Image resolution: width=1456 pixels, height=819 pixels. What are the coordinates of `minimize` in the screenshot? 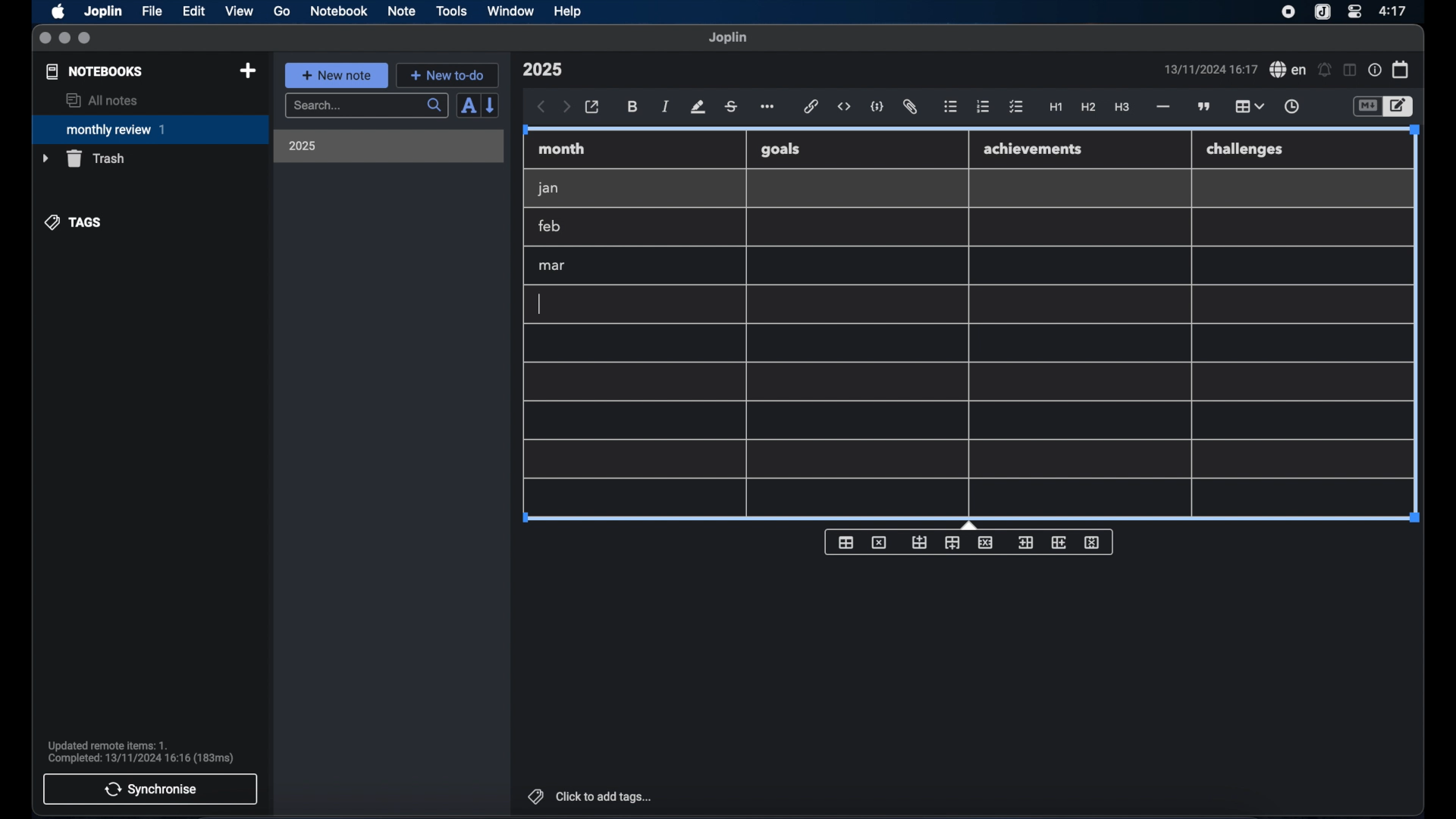 It's located at (64, 39).